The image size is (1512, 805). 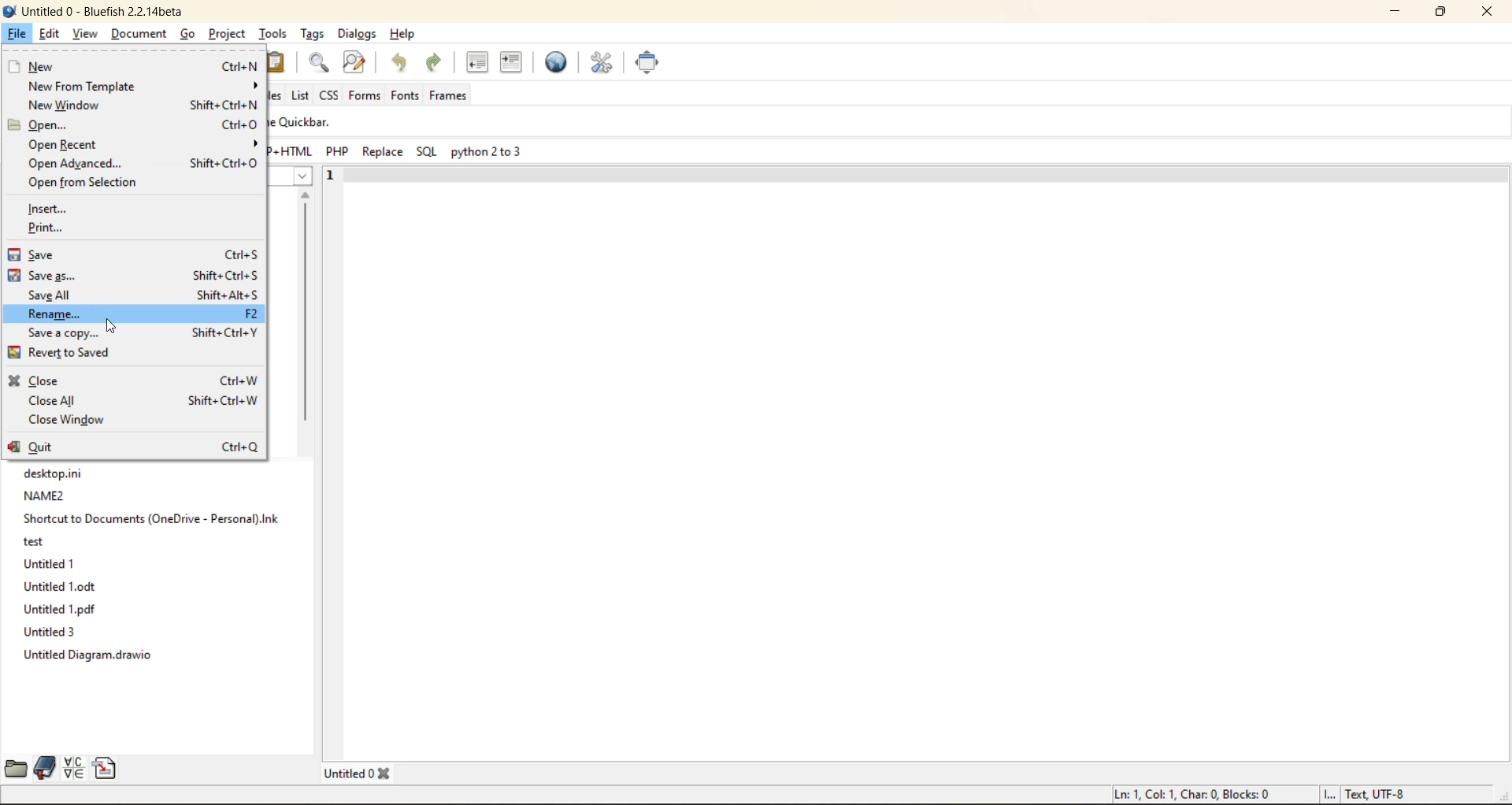 I want to click on indent, so click(x=511, y=62).